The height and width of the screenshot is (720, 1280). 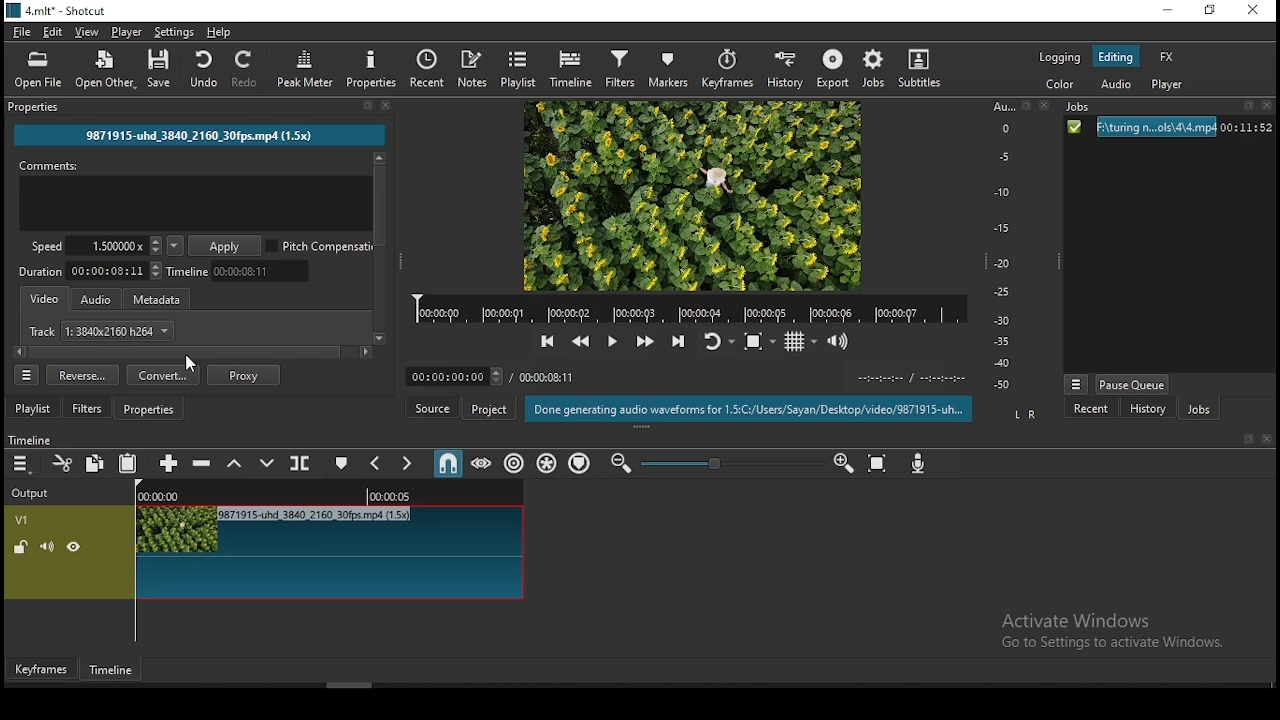 I want to click on toggle grids display, so click(x=799, y=344).